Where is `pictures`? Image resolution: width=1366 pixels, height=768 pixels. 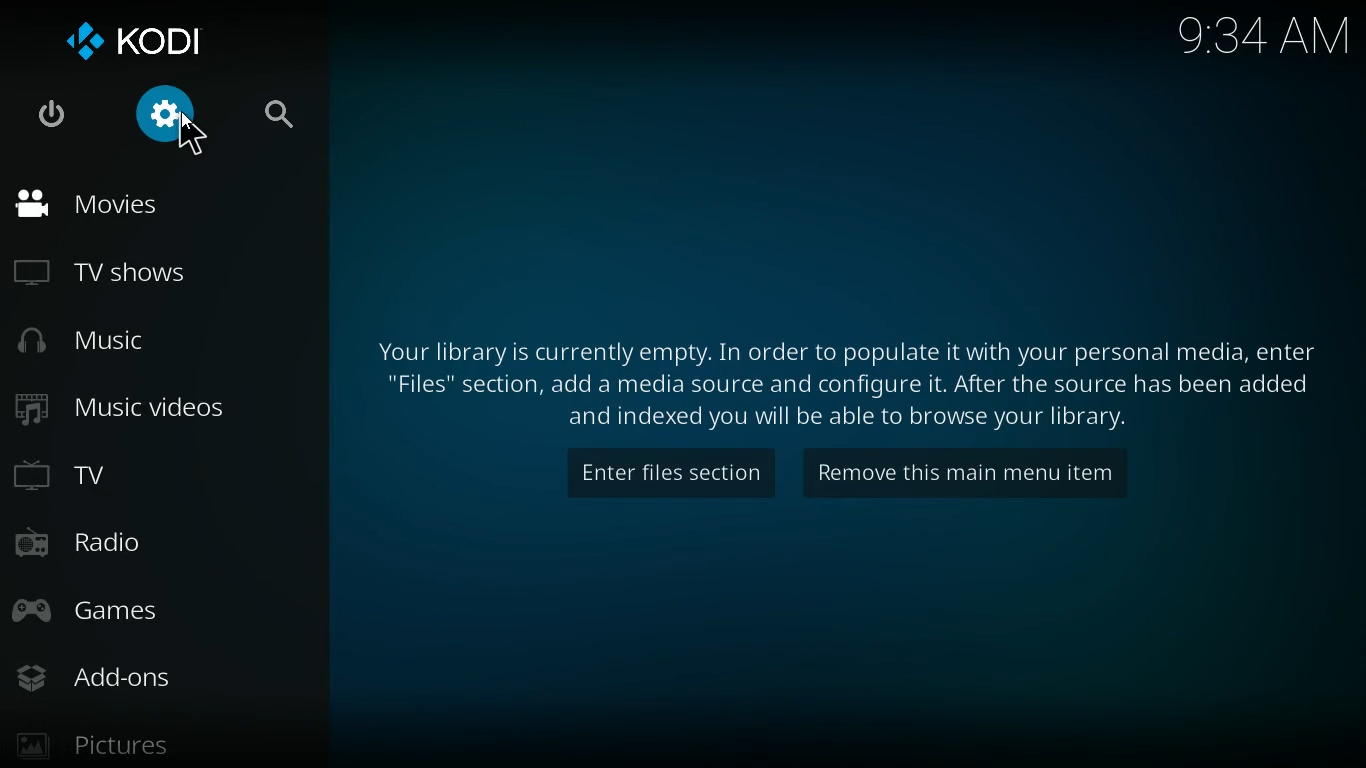 pictures is located at coordinates (105, 742).